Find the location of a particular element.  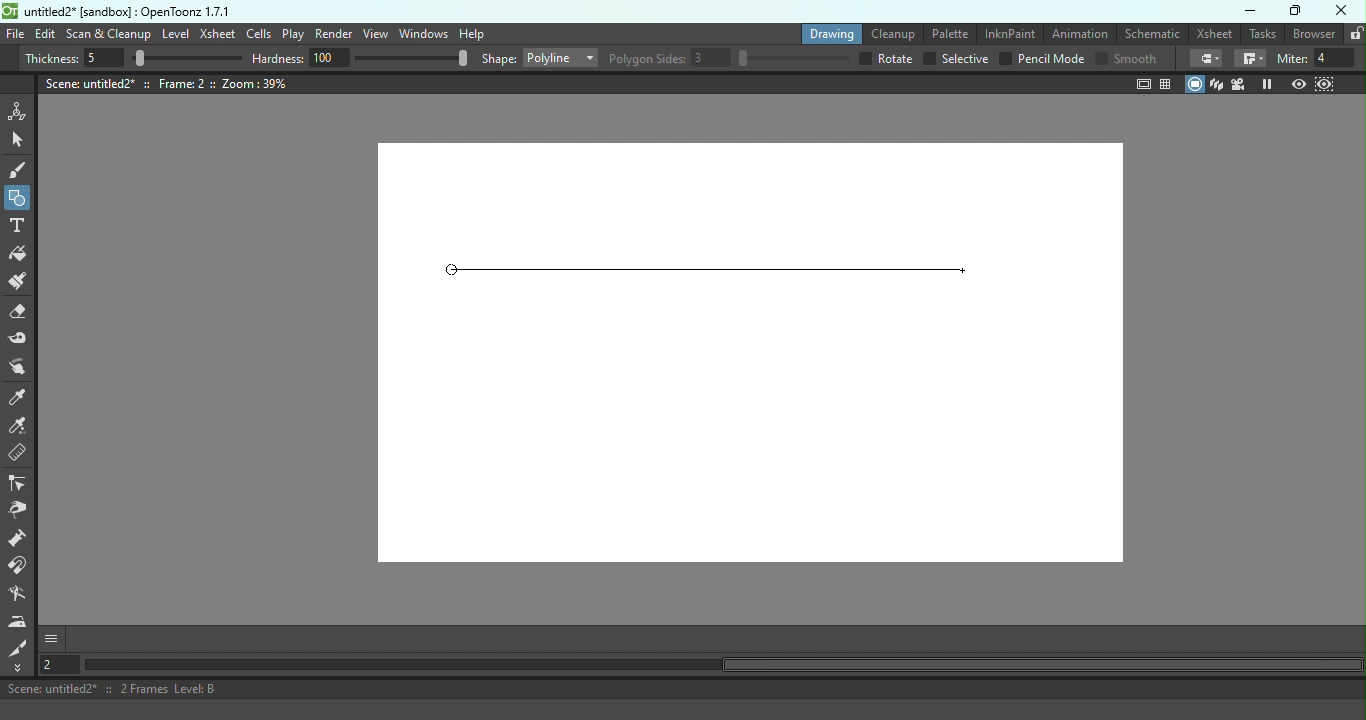

Selective is located at coordinates (956, 59).